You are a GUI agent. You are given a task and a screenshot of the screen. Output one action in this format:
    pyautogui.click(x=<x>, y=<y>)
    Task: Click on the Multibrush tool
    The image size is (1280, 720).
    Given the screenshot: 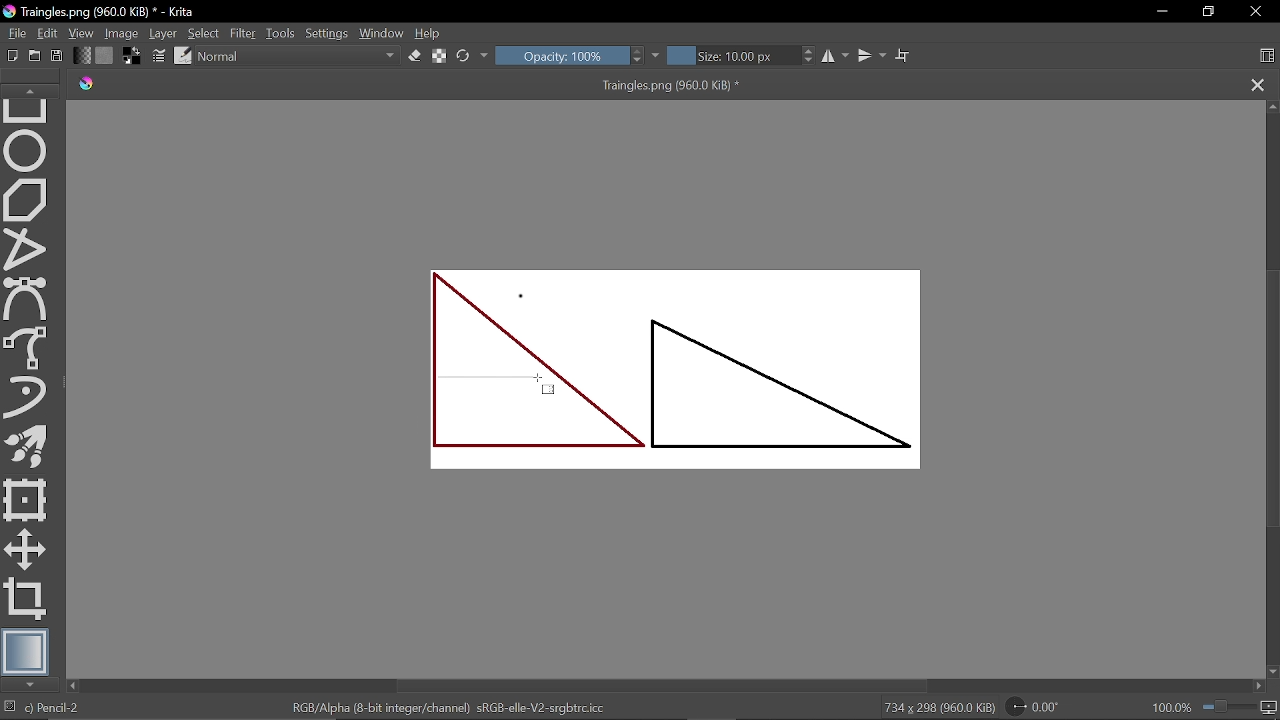 What is the action you would take?
    pyautogui.click(x=26, y=445)
    